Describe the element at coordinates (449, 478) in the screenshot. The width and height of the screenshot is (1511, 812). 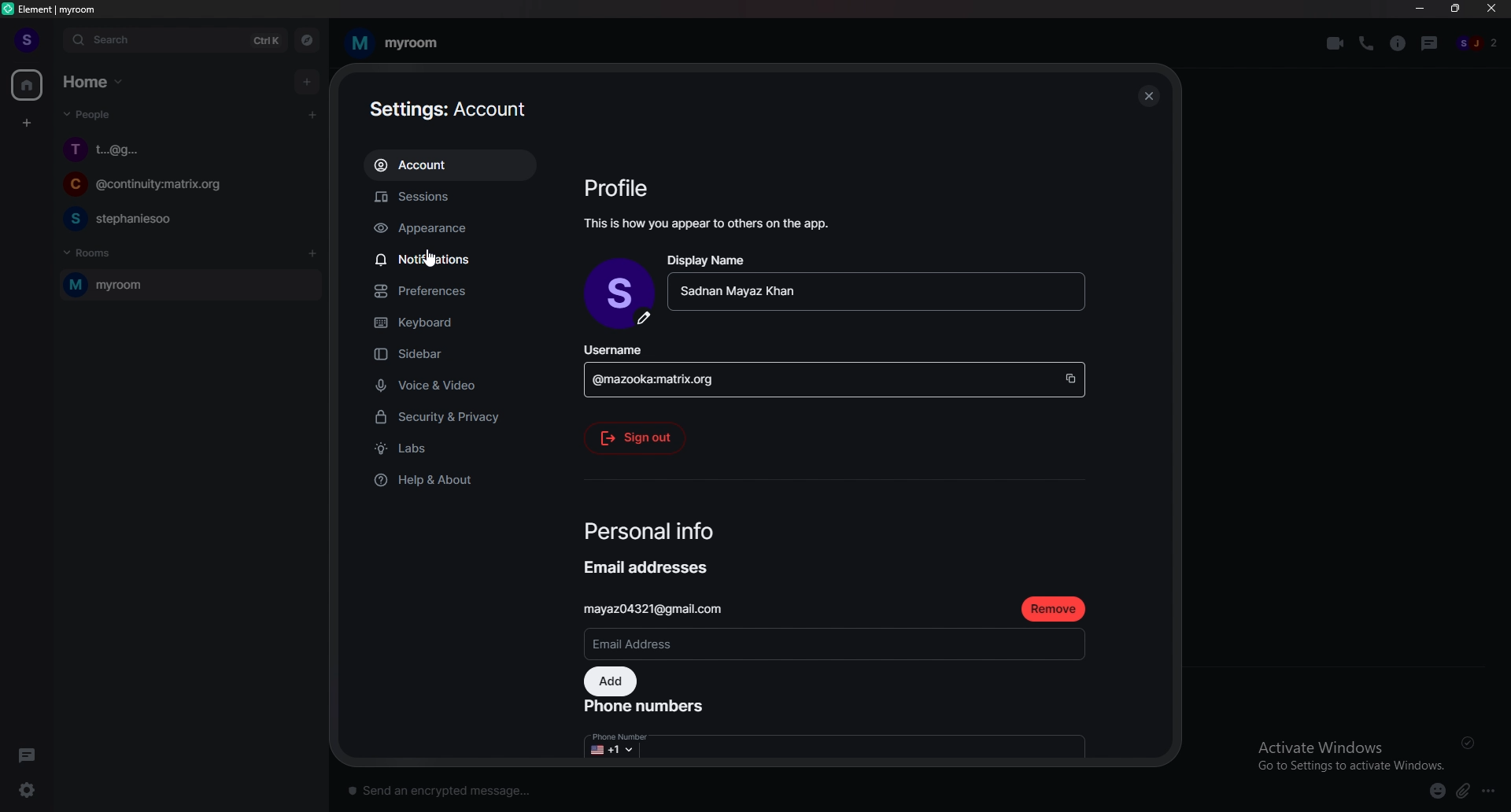
I see `help and about` at that location.